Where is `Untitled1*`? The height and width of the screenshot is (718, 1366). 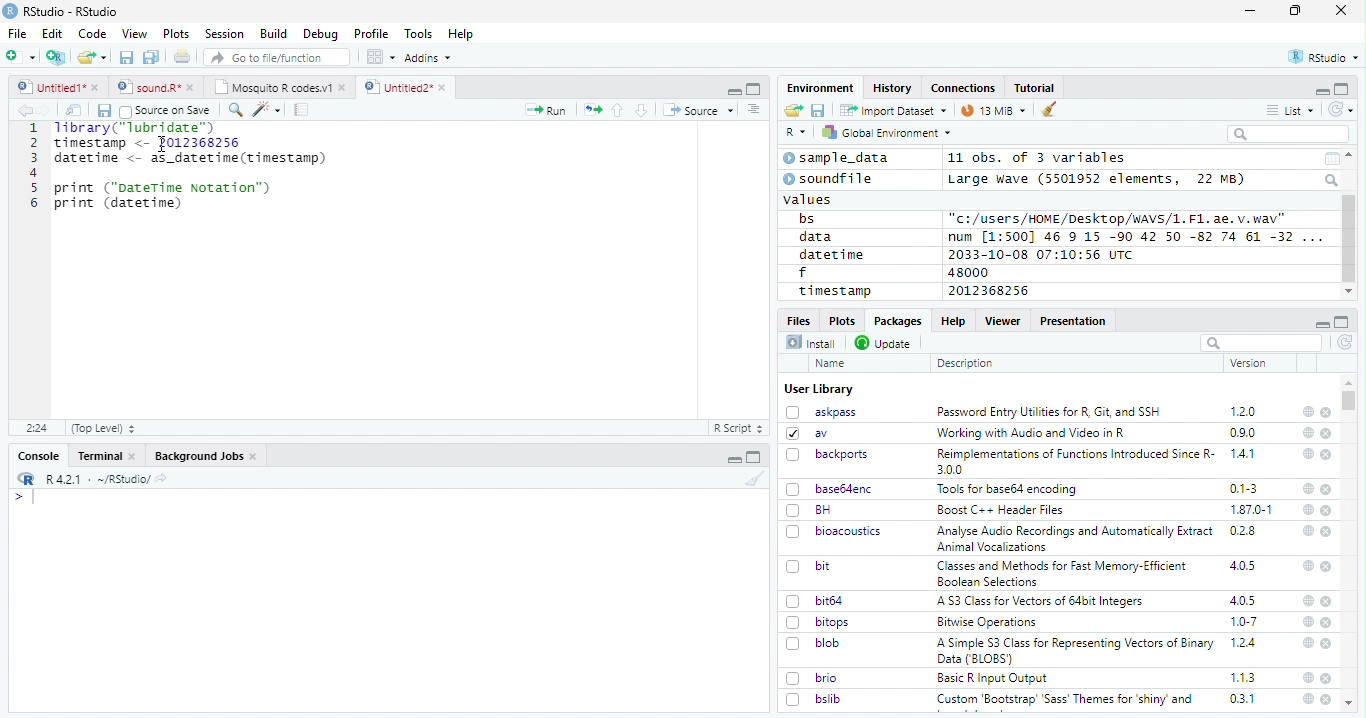 Untitled1* is located at coordinates (57, 88).